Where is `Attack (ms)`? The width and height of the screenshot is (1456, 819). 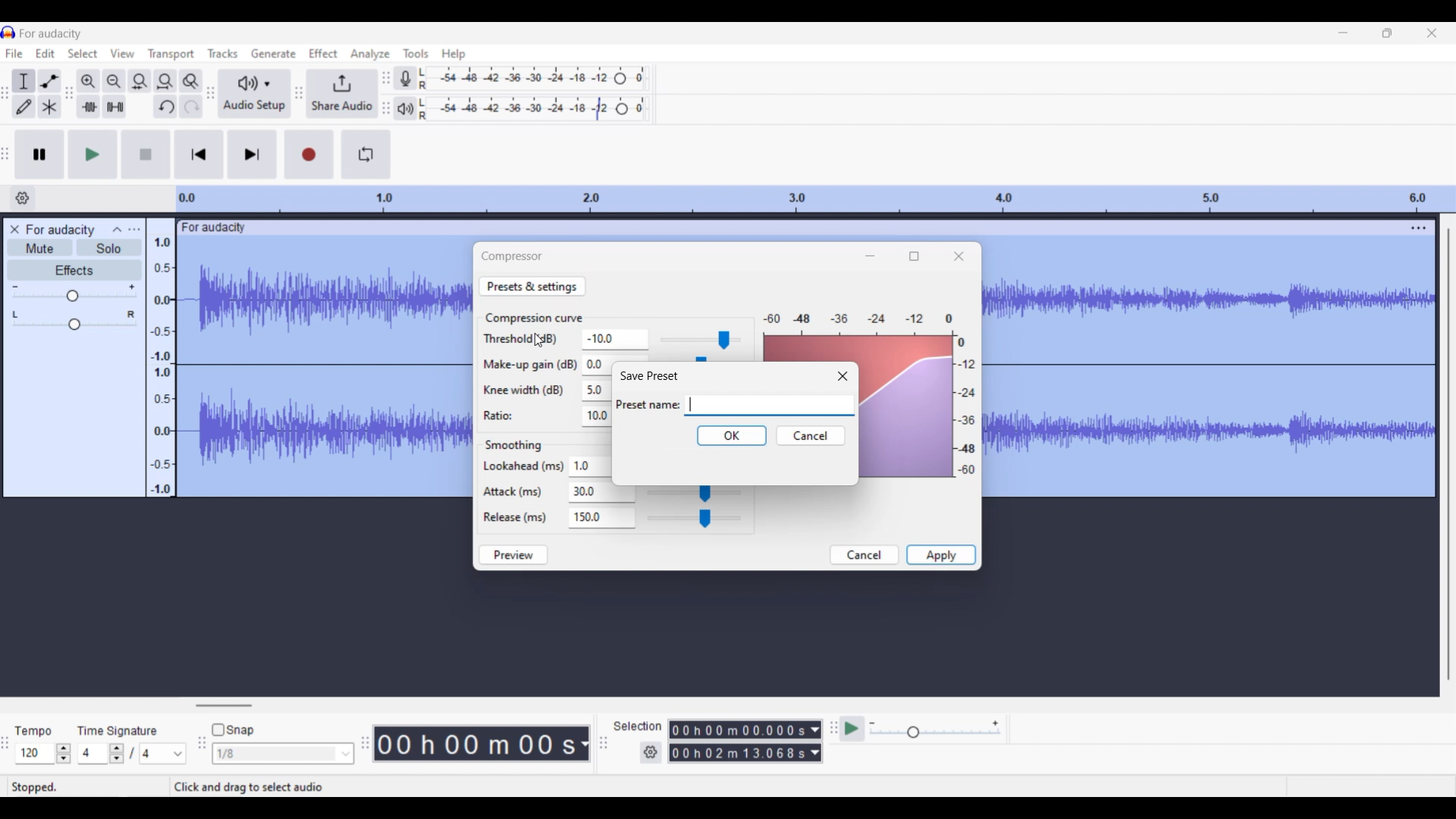
Attack (ms) is located at coordinates (517, 494).